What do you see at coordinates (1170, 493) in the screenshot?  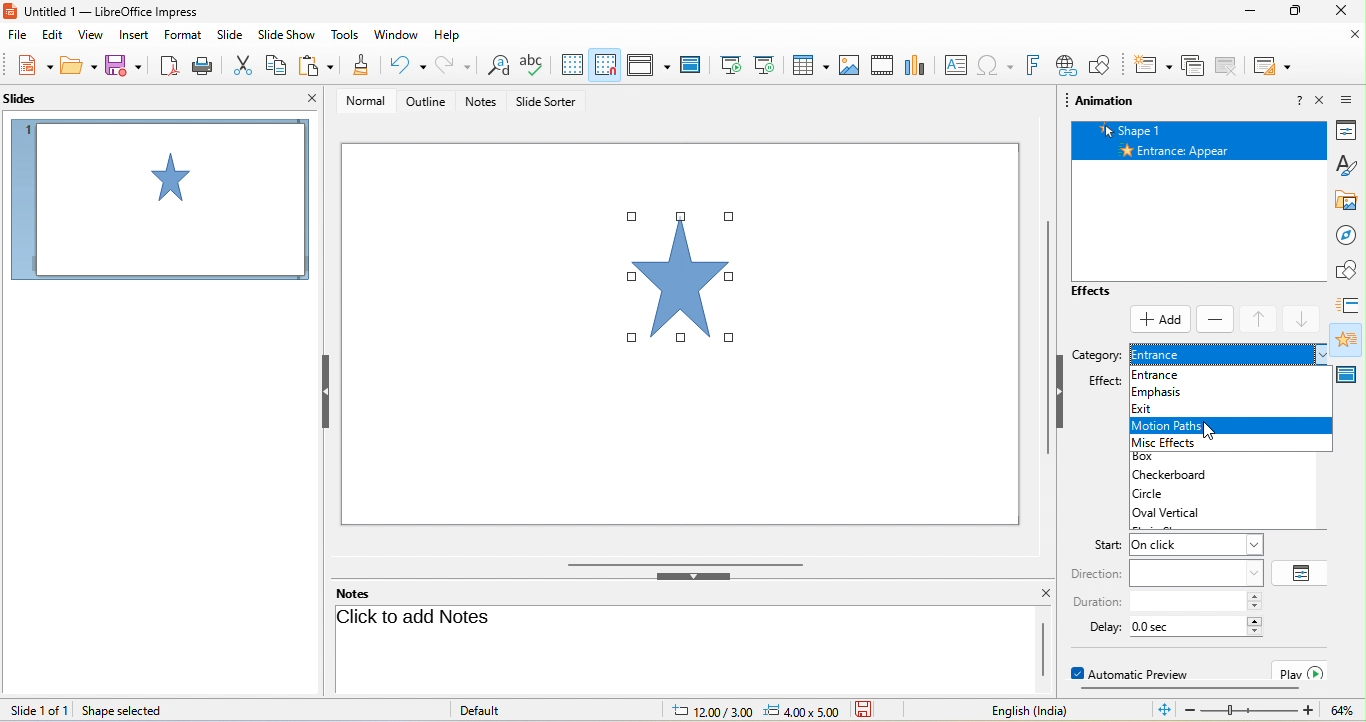 I see `circle` at bounding box center [1170, 493].